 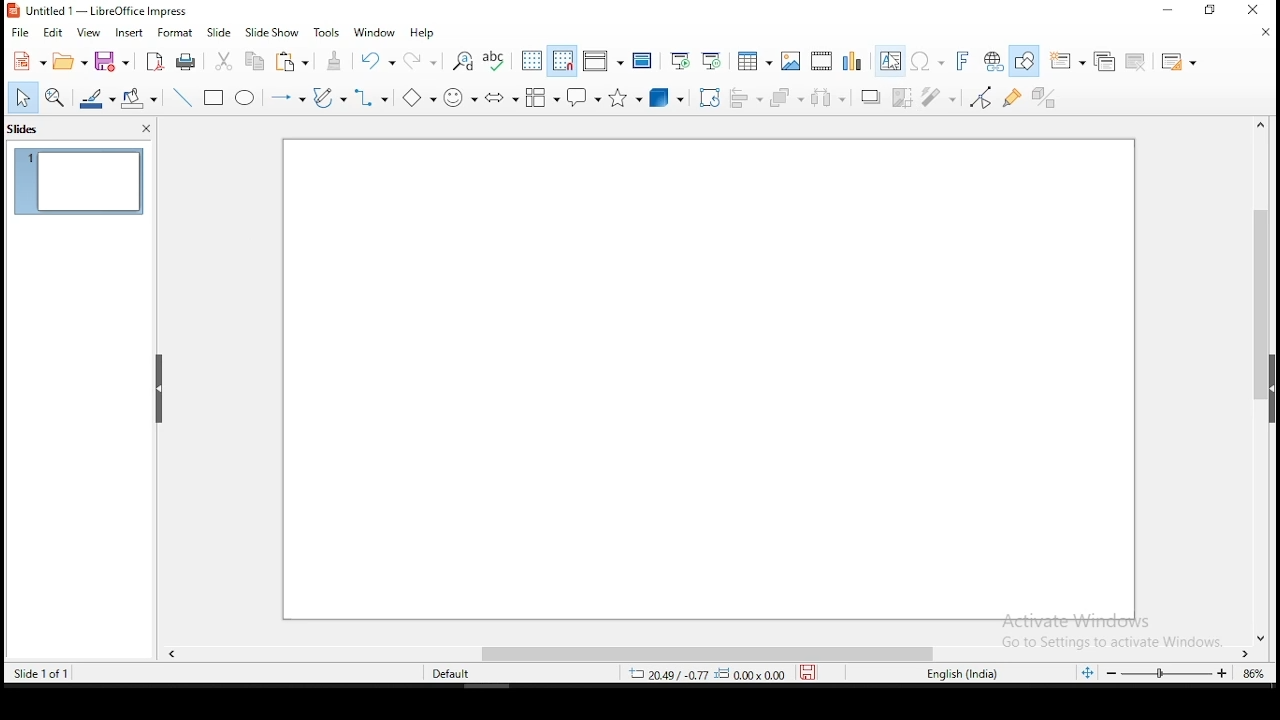 I want to click on format, so click(x=175, y=35).